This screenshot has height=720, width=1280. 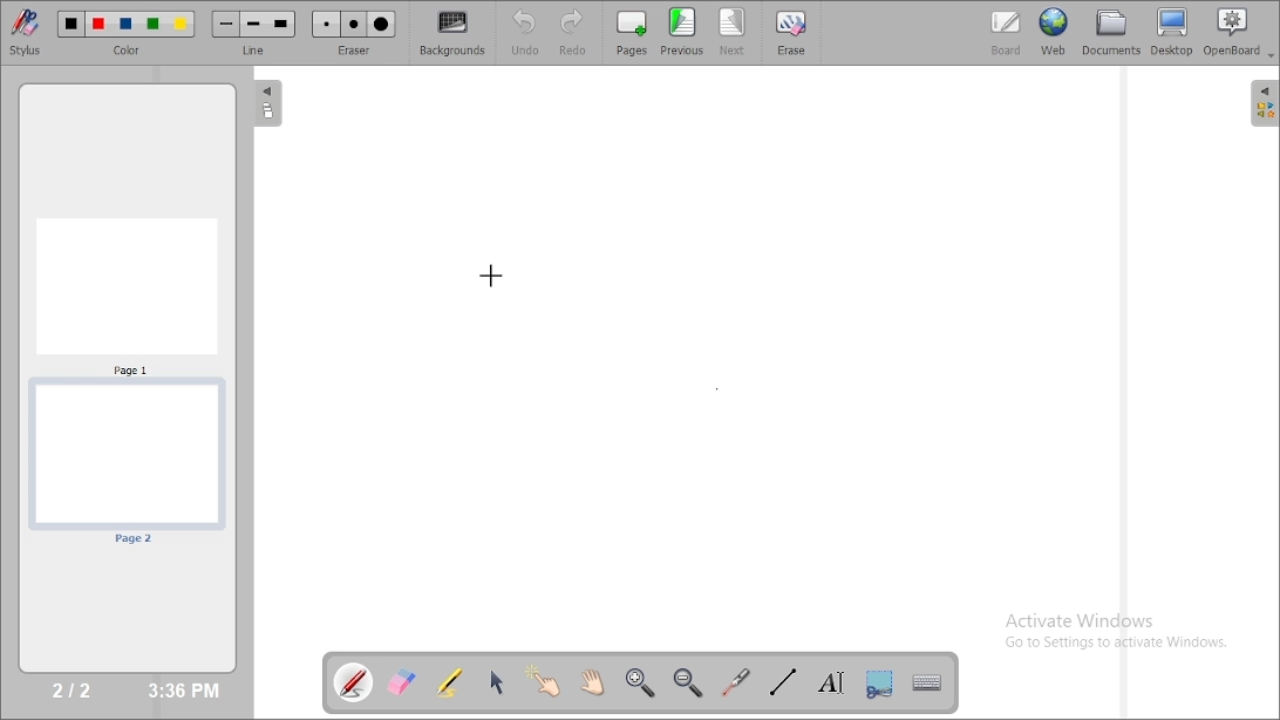 What do you see at coordinates (126, 464) in the screenshot?
I see `page 2` at bounding box center [126, 464].